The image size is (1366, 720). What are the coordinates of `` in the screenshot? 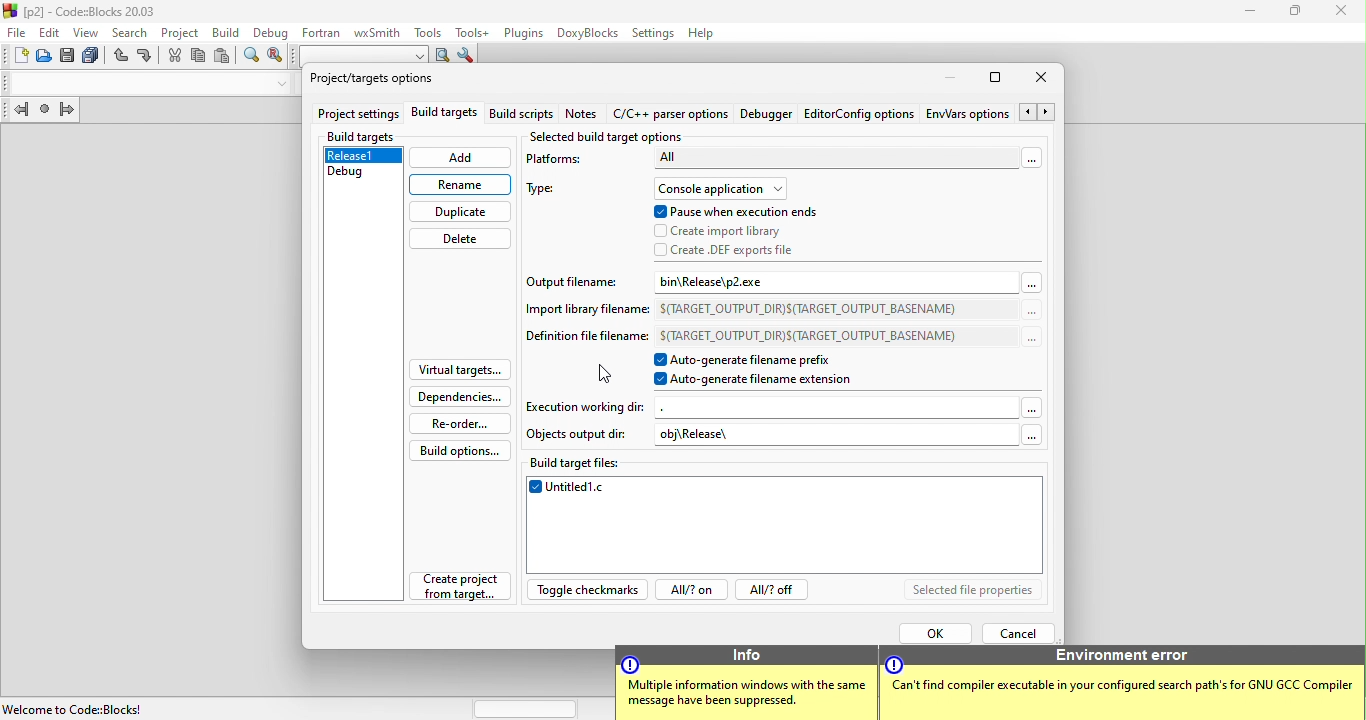 It's located at (632, 663).